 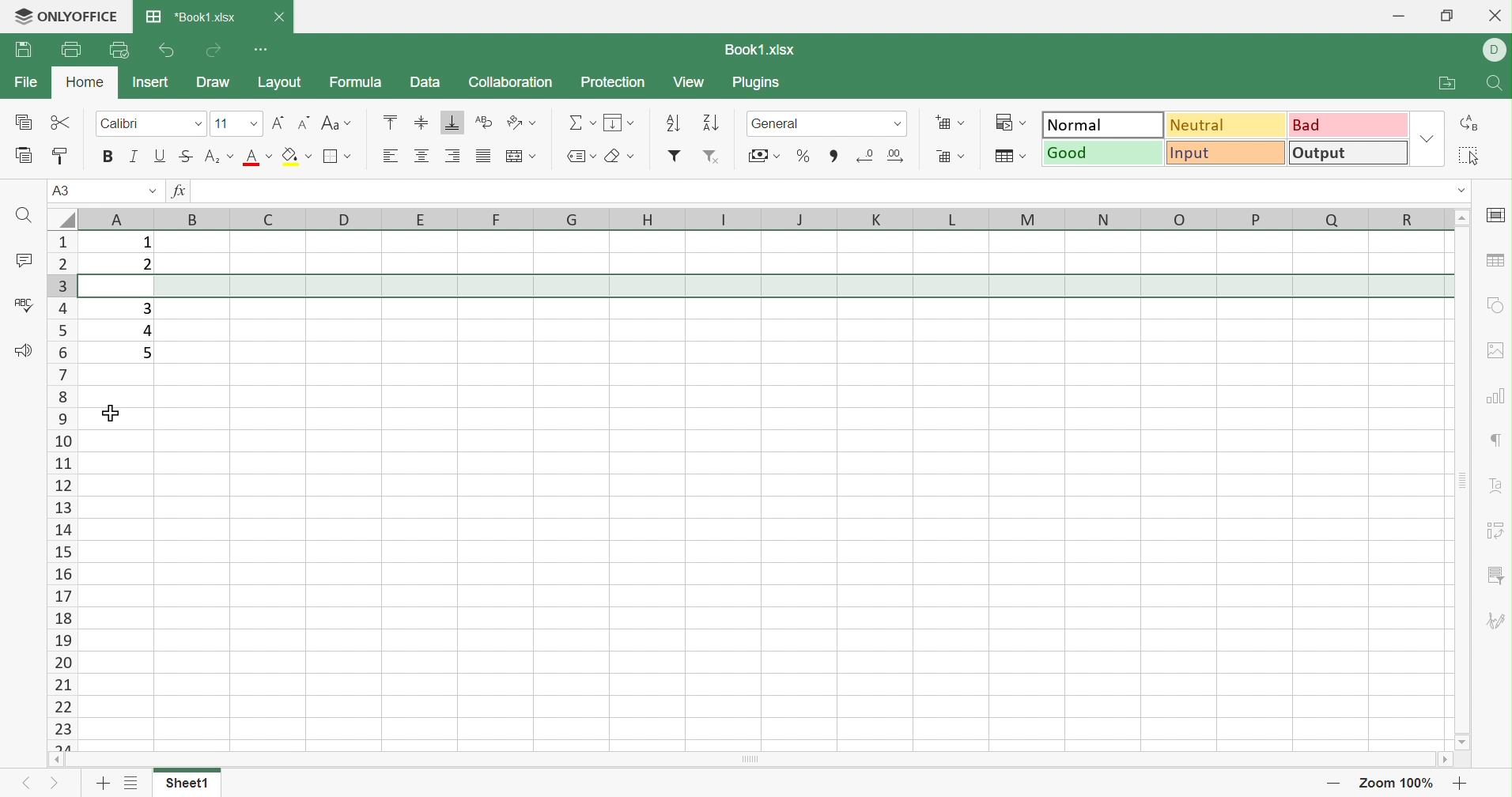 I want to click on Remove filter, so click(x=713, y=156).